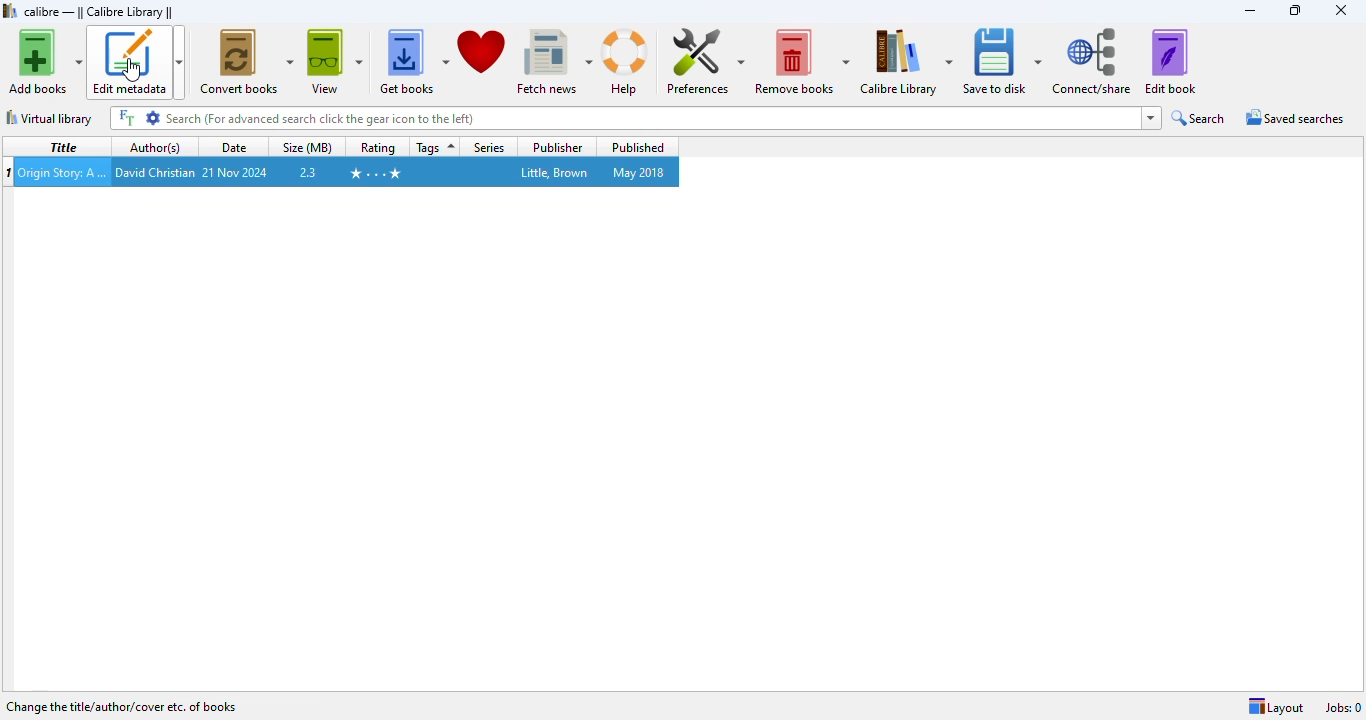  I want to click on author(s), so click(154, 147).